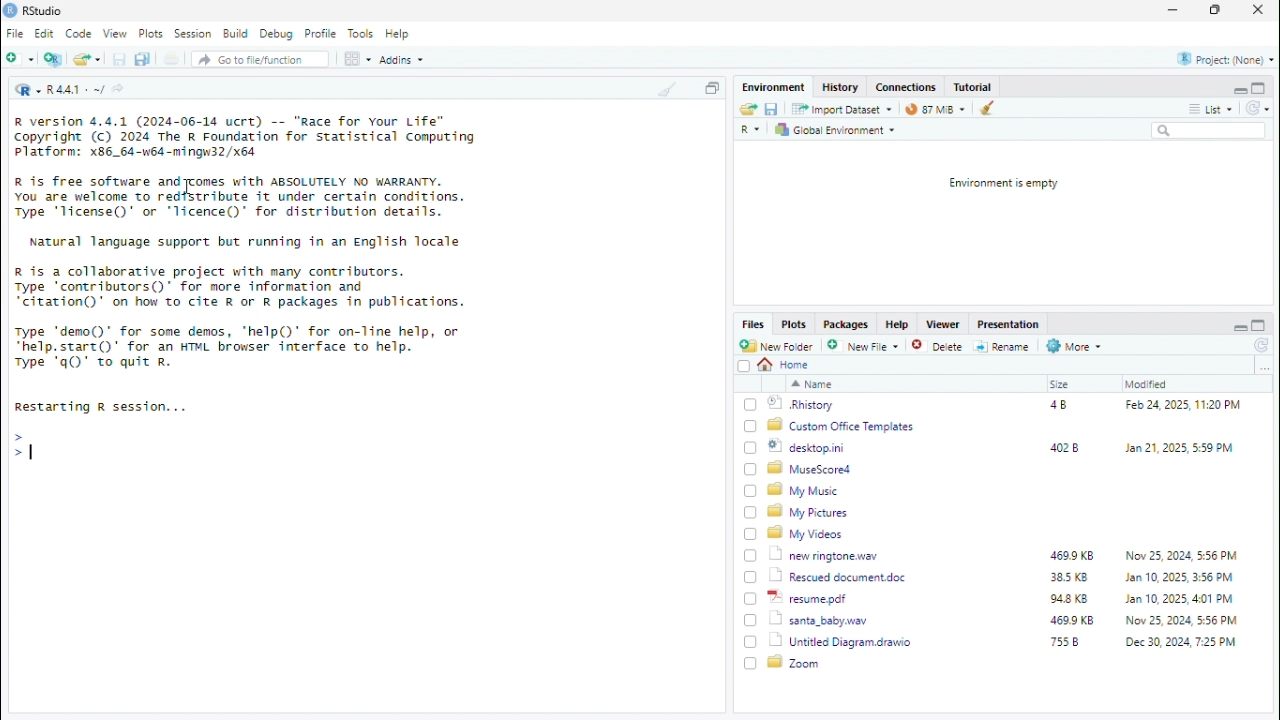  I want to click on save, so click(119, 59).